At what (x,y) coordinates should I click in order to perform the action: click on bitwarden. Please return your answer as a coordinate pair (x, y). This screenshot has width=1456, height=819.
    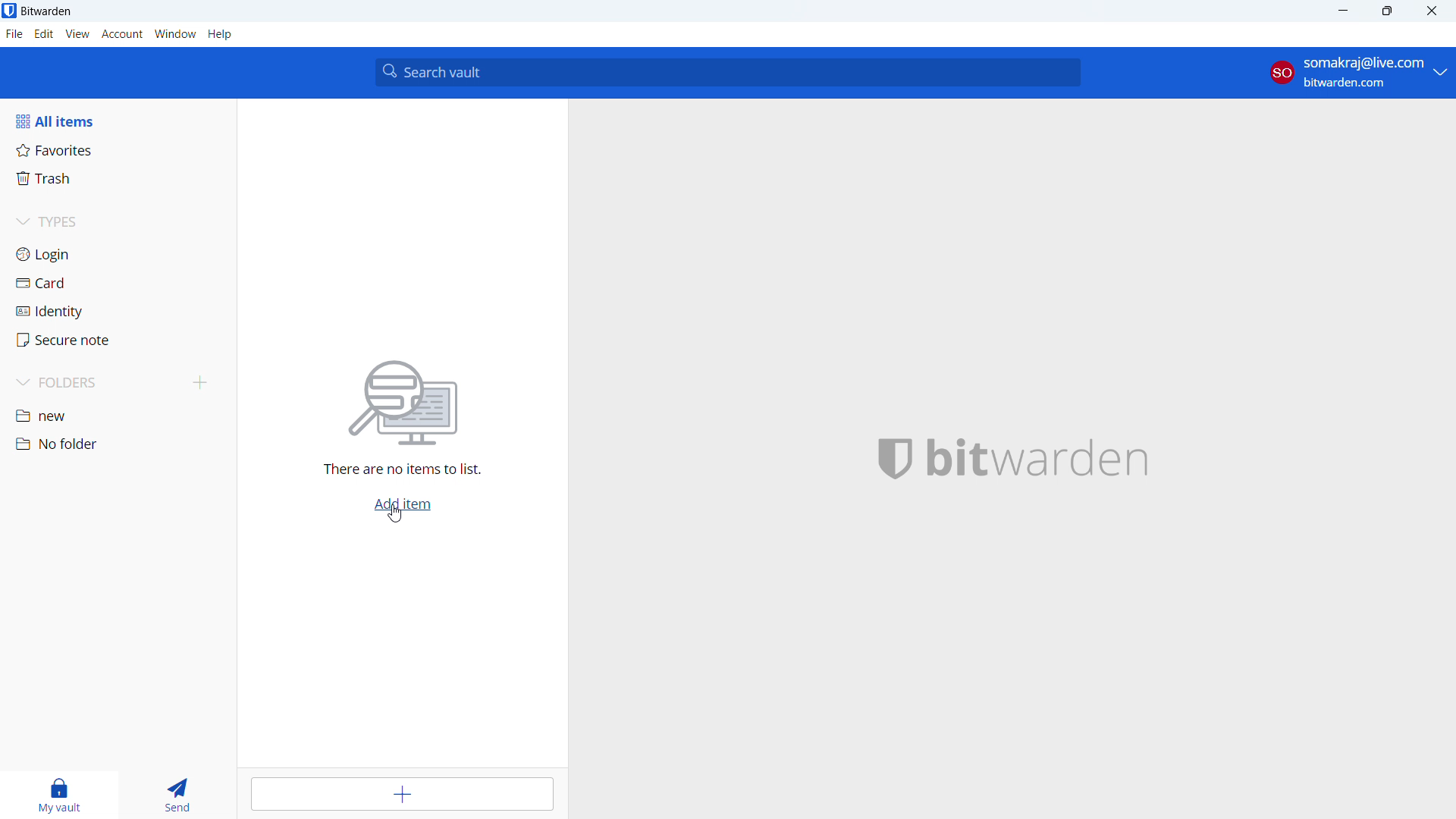
    Looking at the image, I should click on (1049, 460).